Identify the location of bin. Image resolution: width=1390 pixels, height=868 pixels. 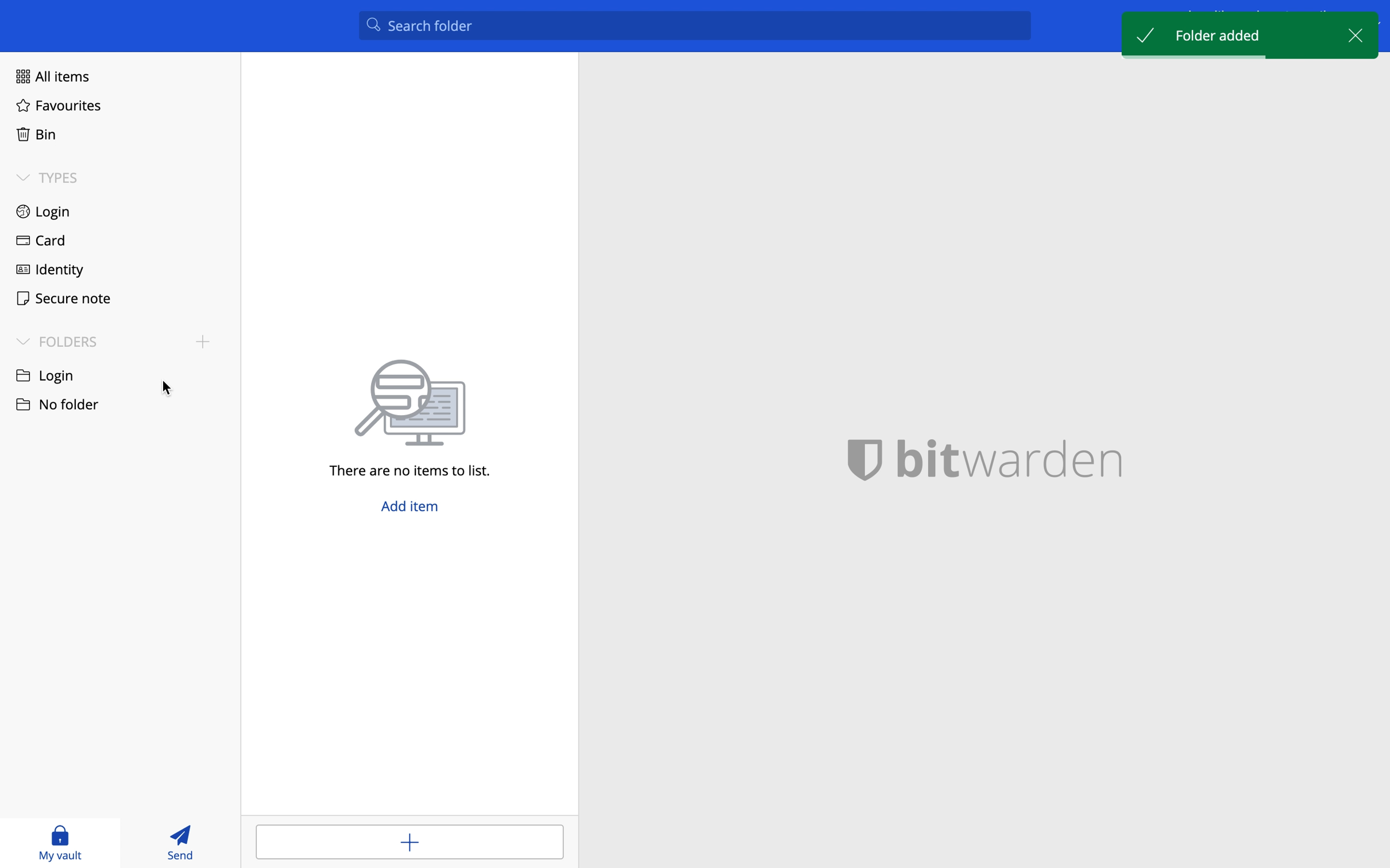
(33, 132).